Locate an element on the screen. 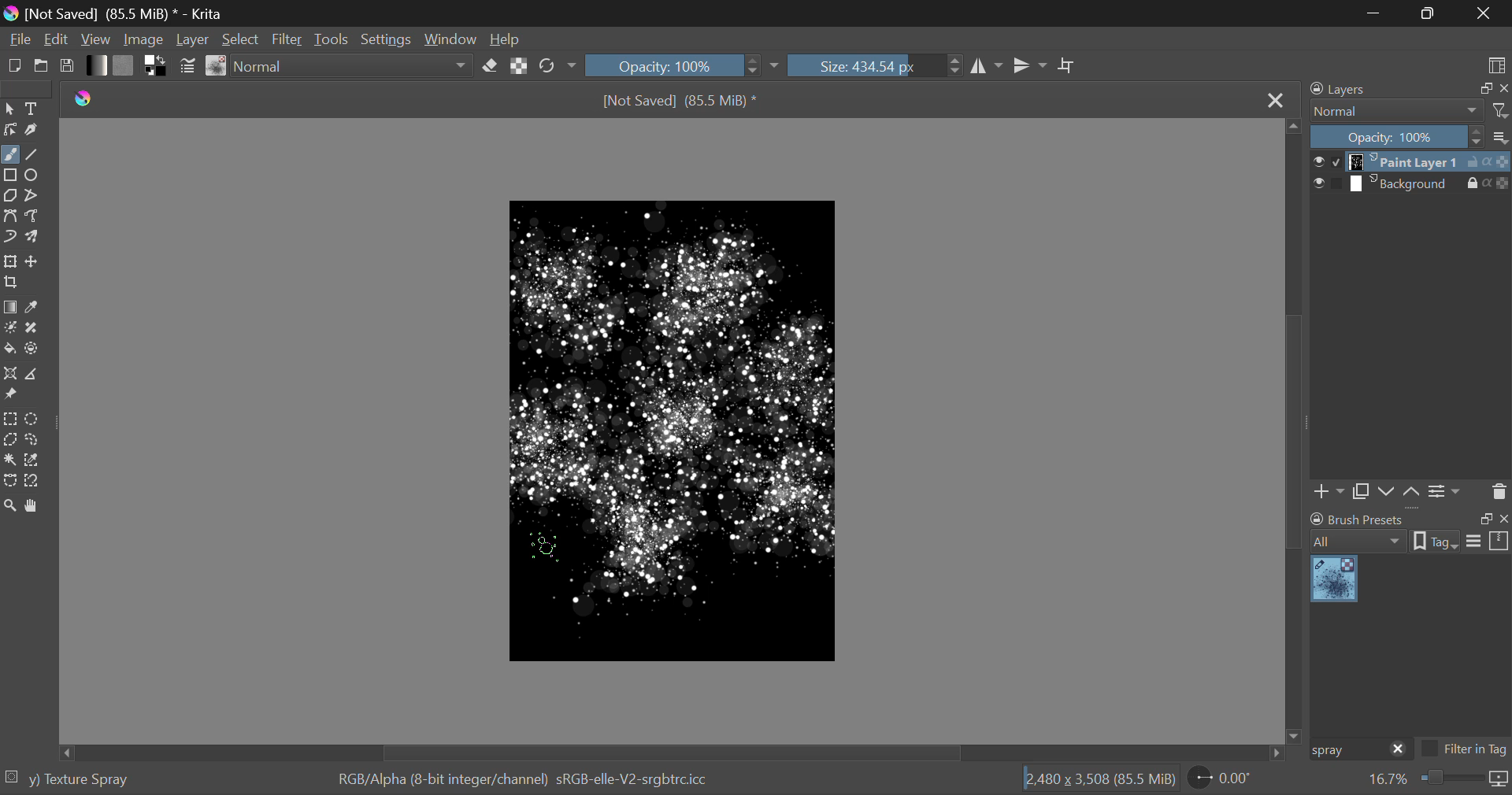  Choose Workspace is located at coordinates (1496, 65).